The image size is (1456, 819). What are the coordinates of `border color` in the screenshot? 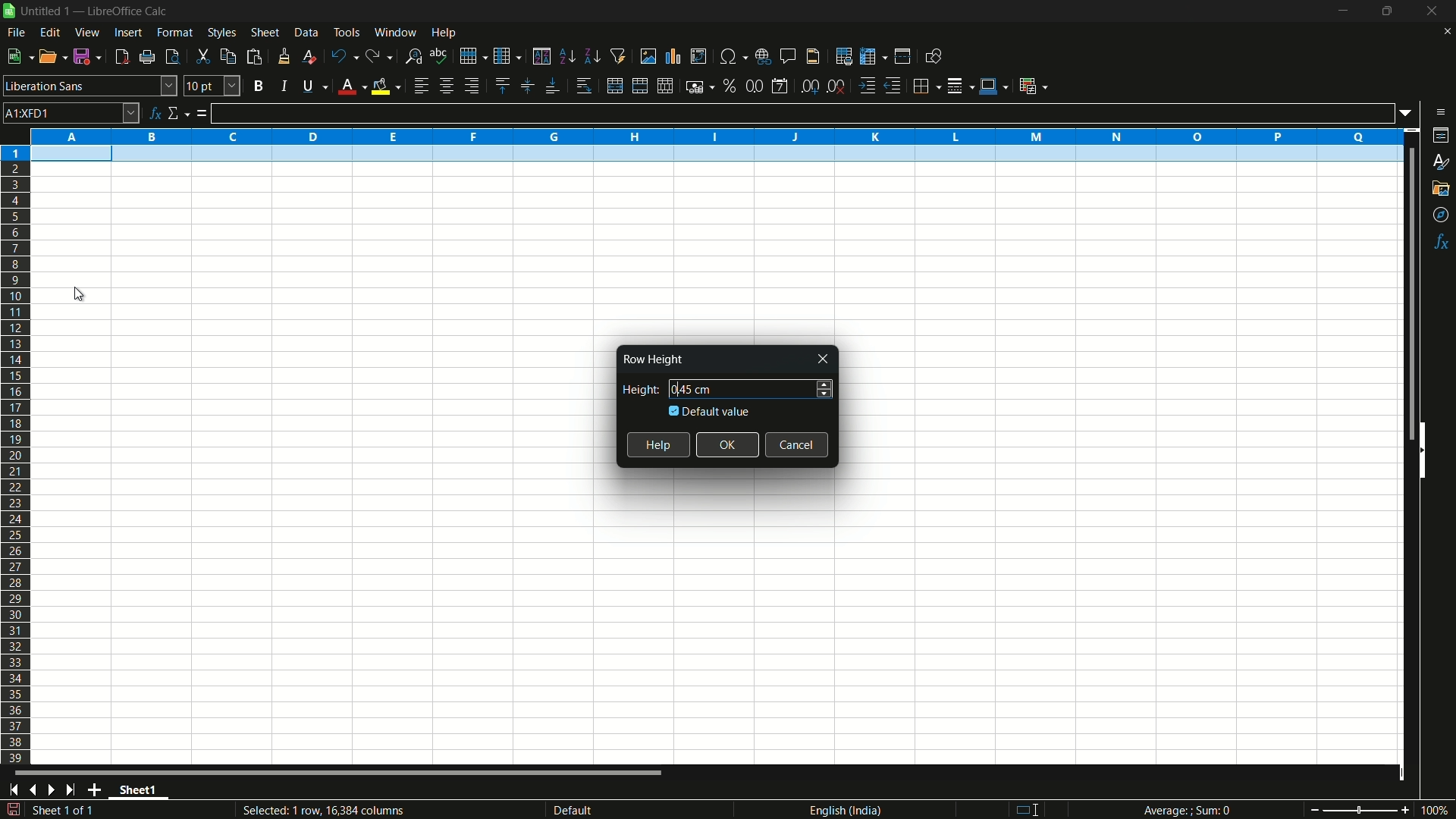 It's located at (993, 83).